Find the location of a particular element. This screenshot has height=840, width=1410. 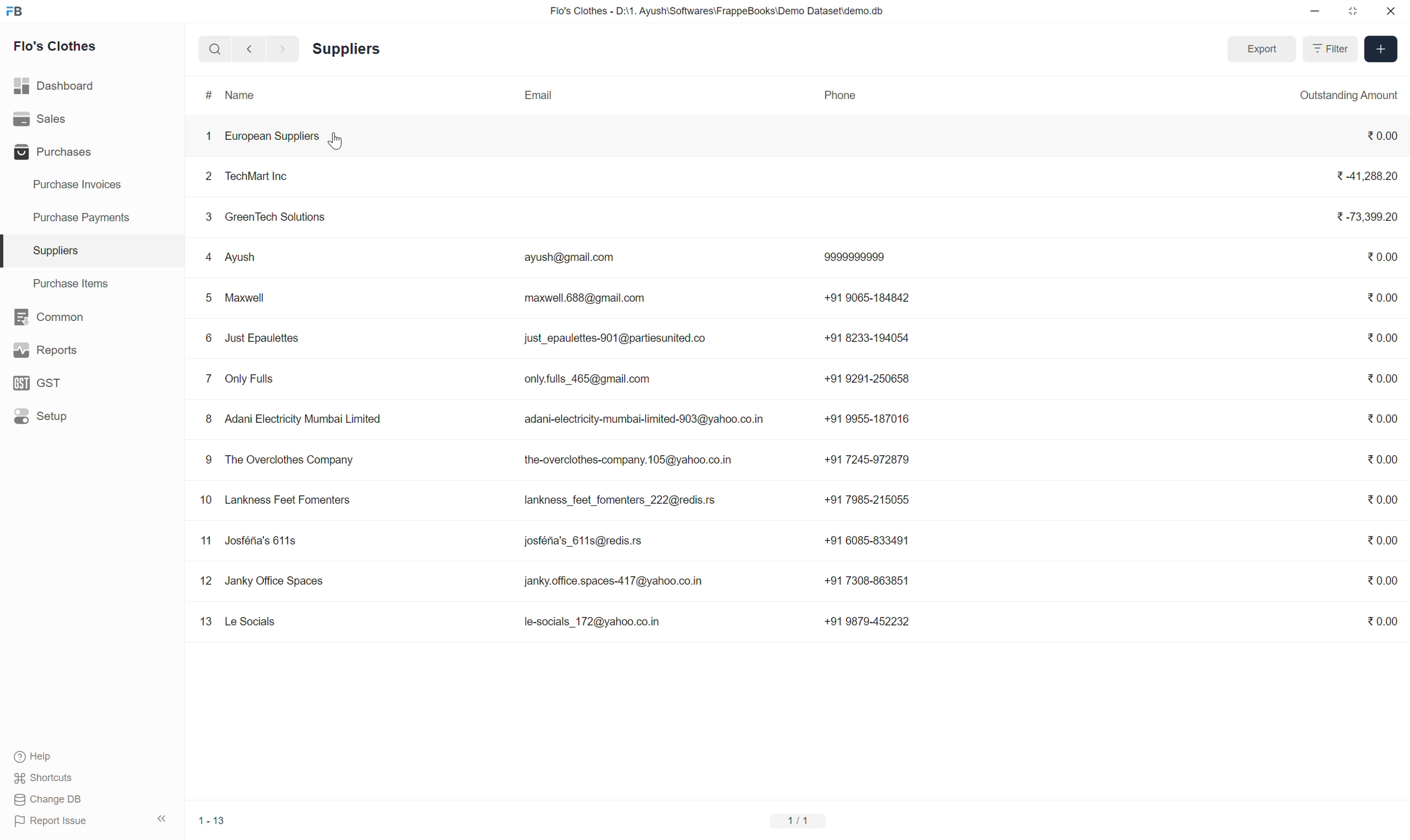

2 is located at coordinates (204, 173).